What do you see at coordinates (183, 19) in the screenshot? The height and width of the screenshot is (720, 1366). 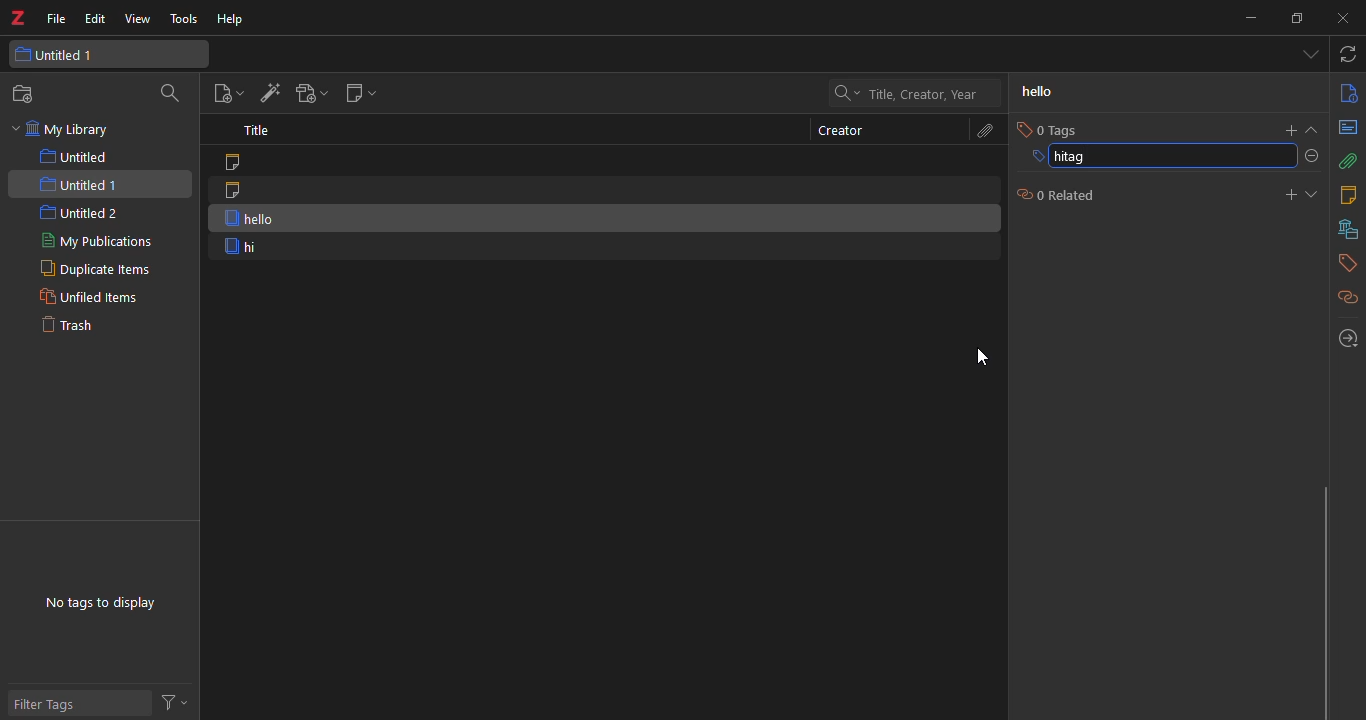 I see `tools` at bounding box center [183, 19].